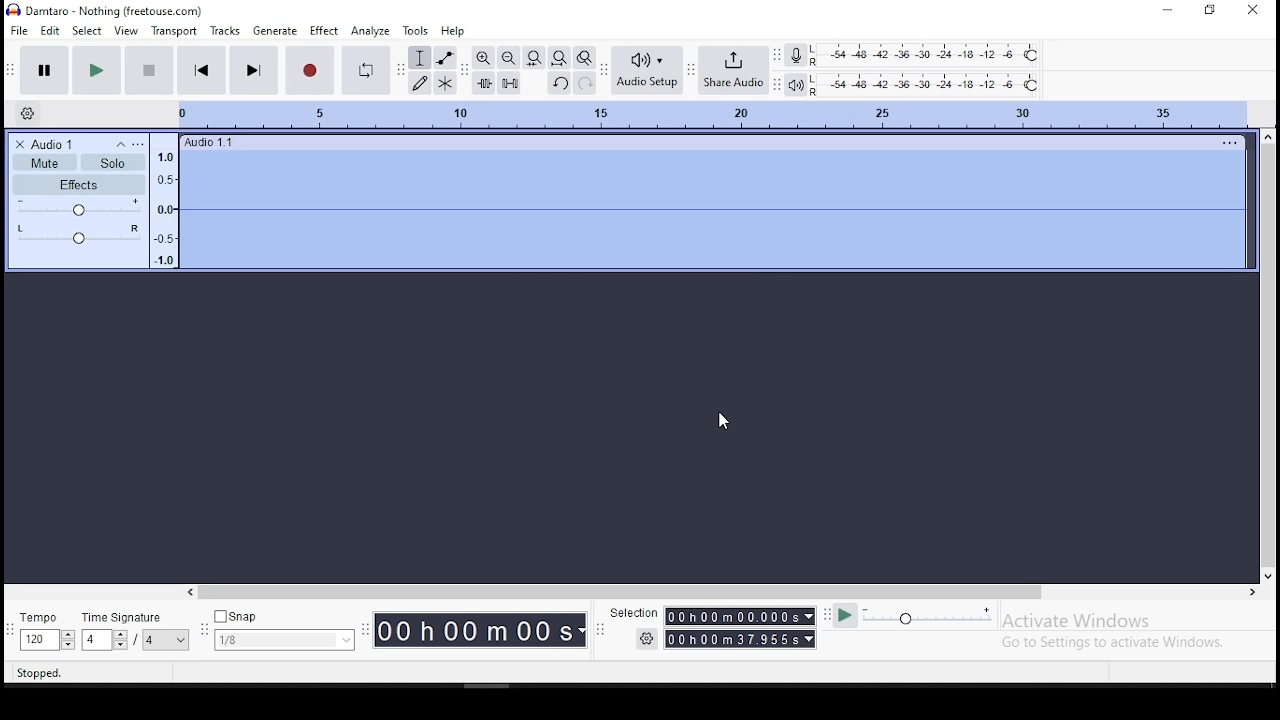  What do you see at coordinates (127, 31) in the screenshot?
I see `view` at bounding box center [127, 31].